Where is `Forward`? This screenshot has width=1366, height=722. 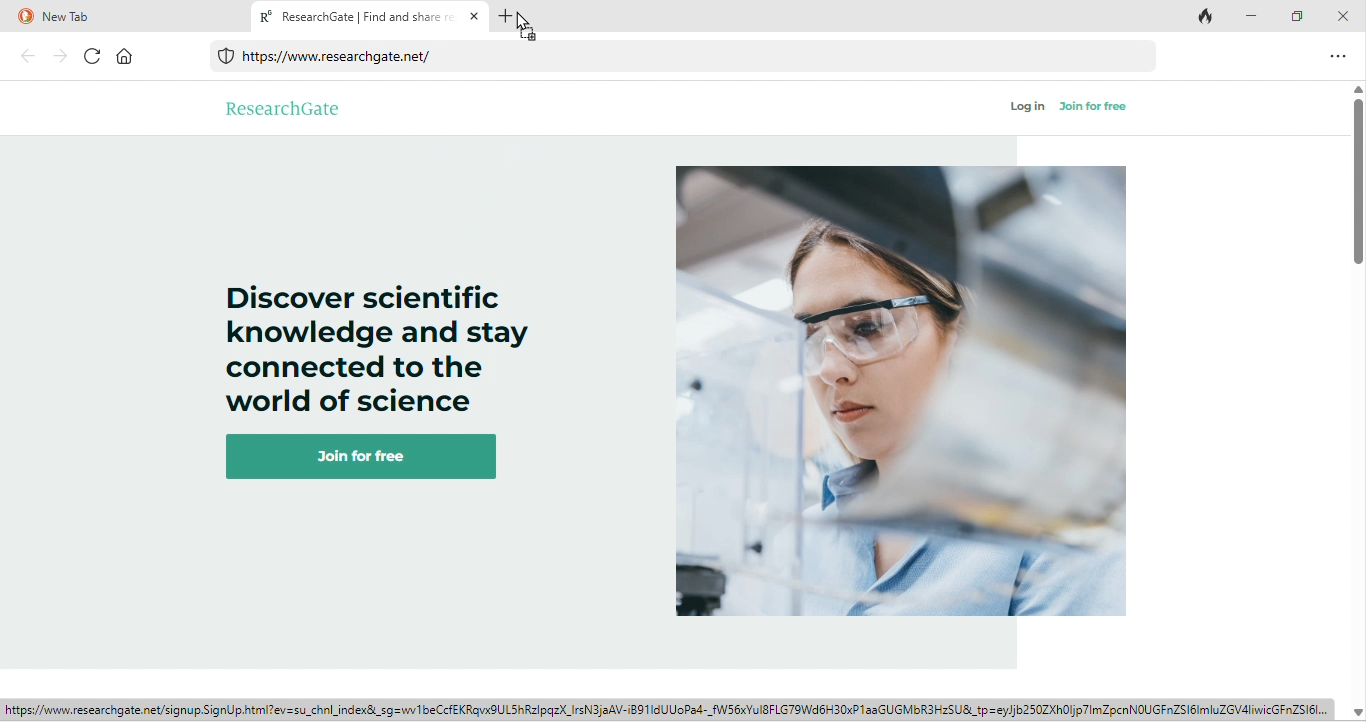
Forward is located at coordinates (58, 57).